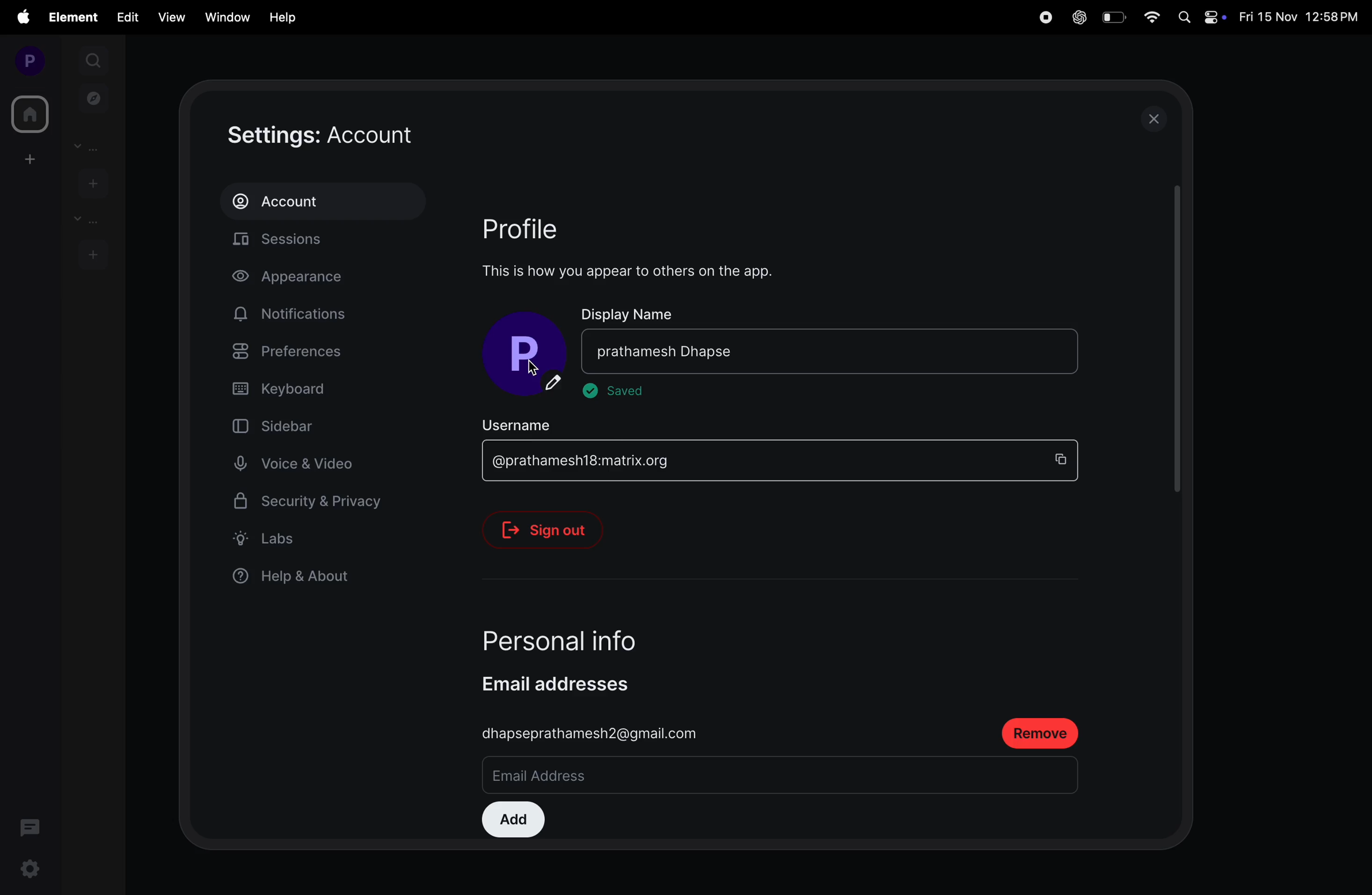 This screenshot has height=895, width=1372. Describe the element at coordinates (300, 464) in the screenshot. I see `voice and videos` at that location.